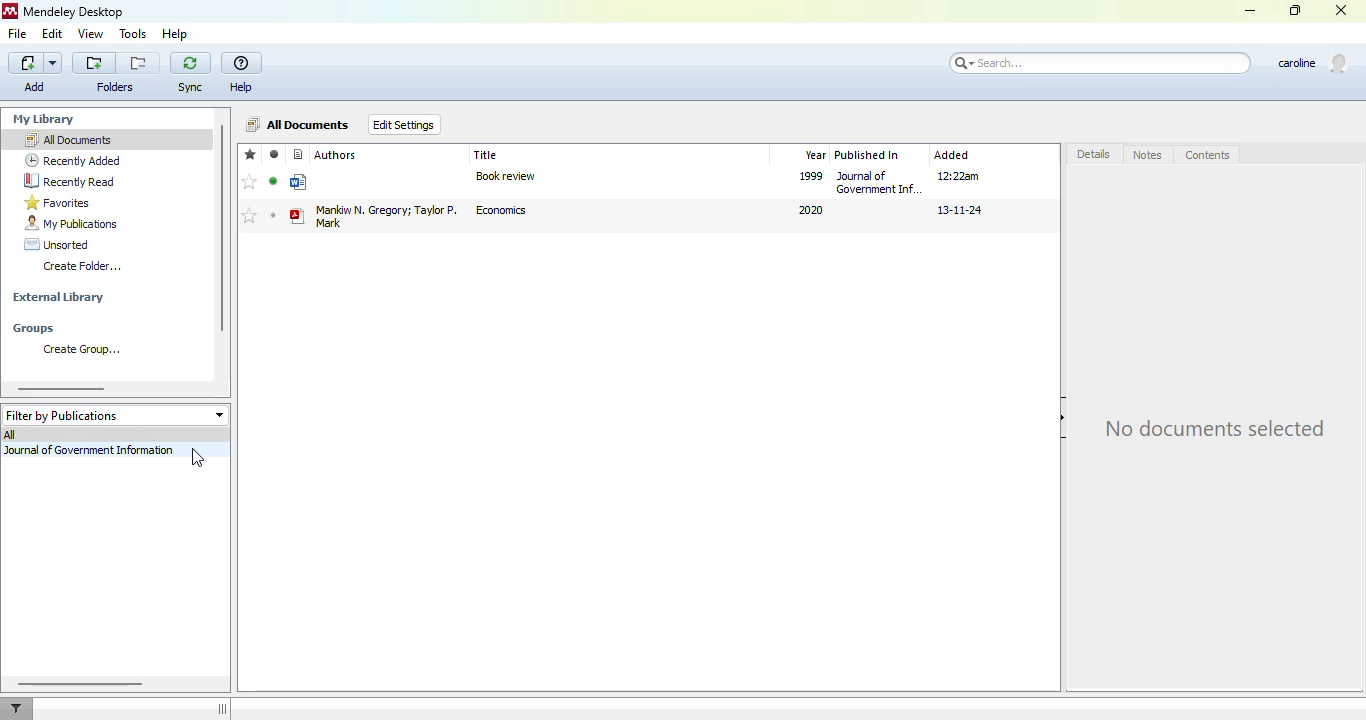  What do you see at coordinates (1147, 155) in the screenshot?
I see `notes` at bounding box center [1147, 155].